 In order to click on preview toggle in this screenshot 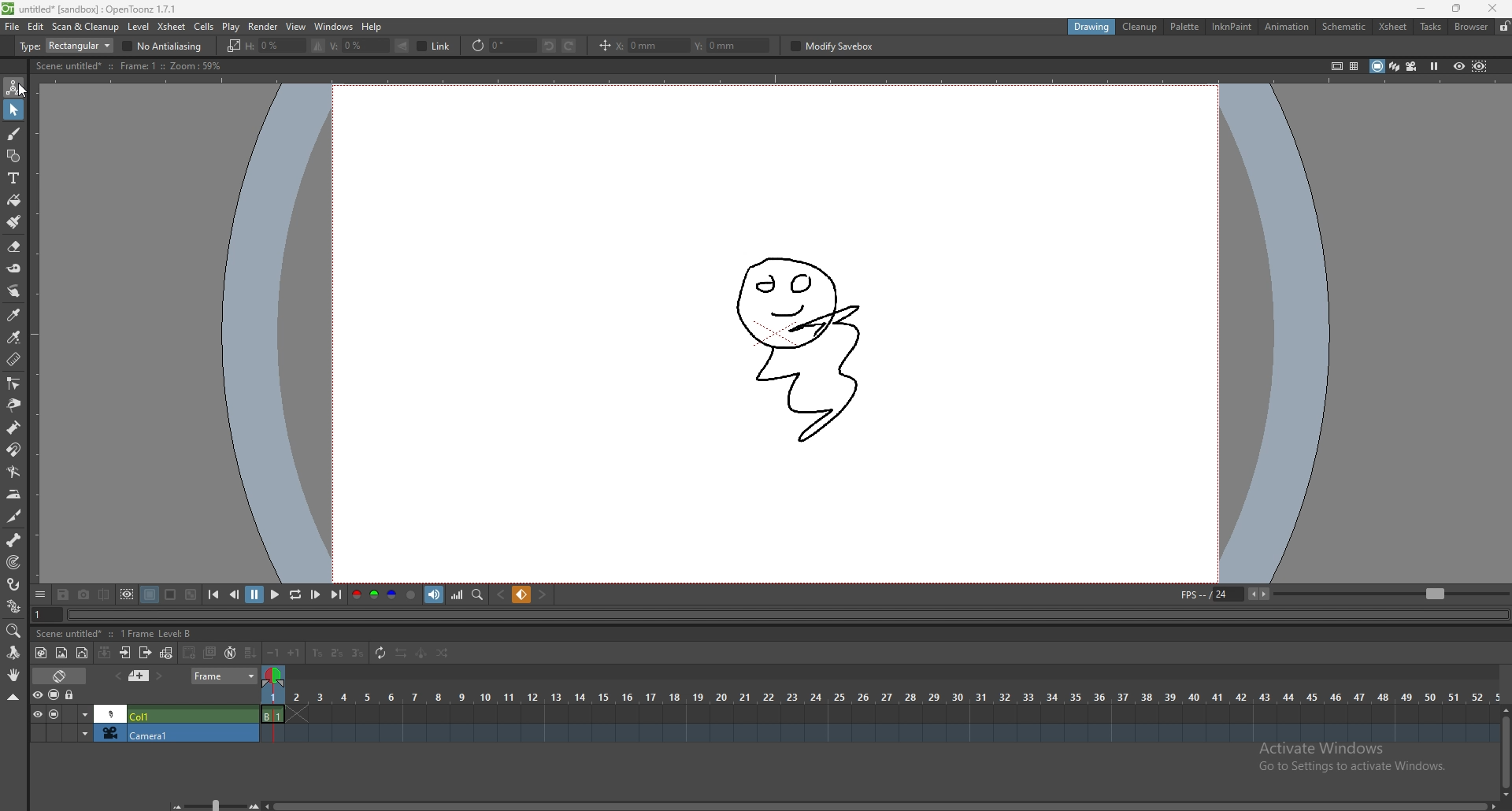, I will do `click(35, 694)`.